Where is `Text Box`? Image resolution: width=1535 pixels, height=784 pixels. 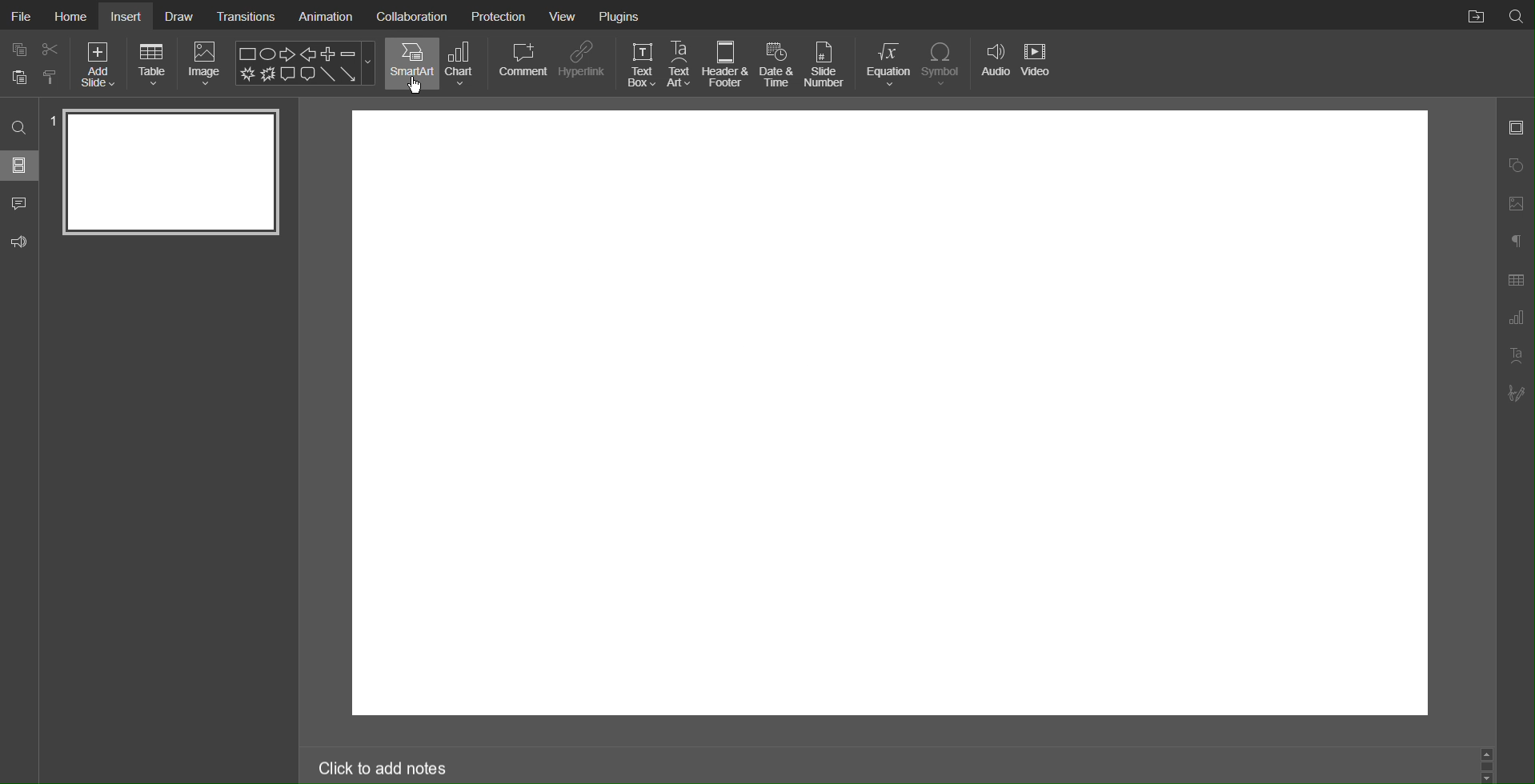 Text Box is located at coordinates (641, 64).